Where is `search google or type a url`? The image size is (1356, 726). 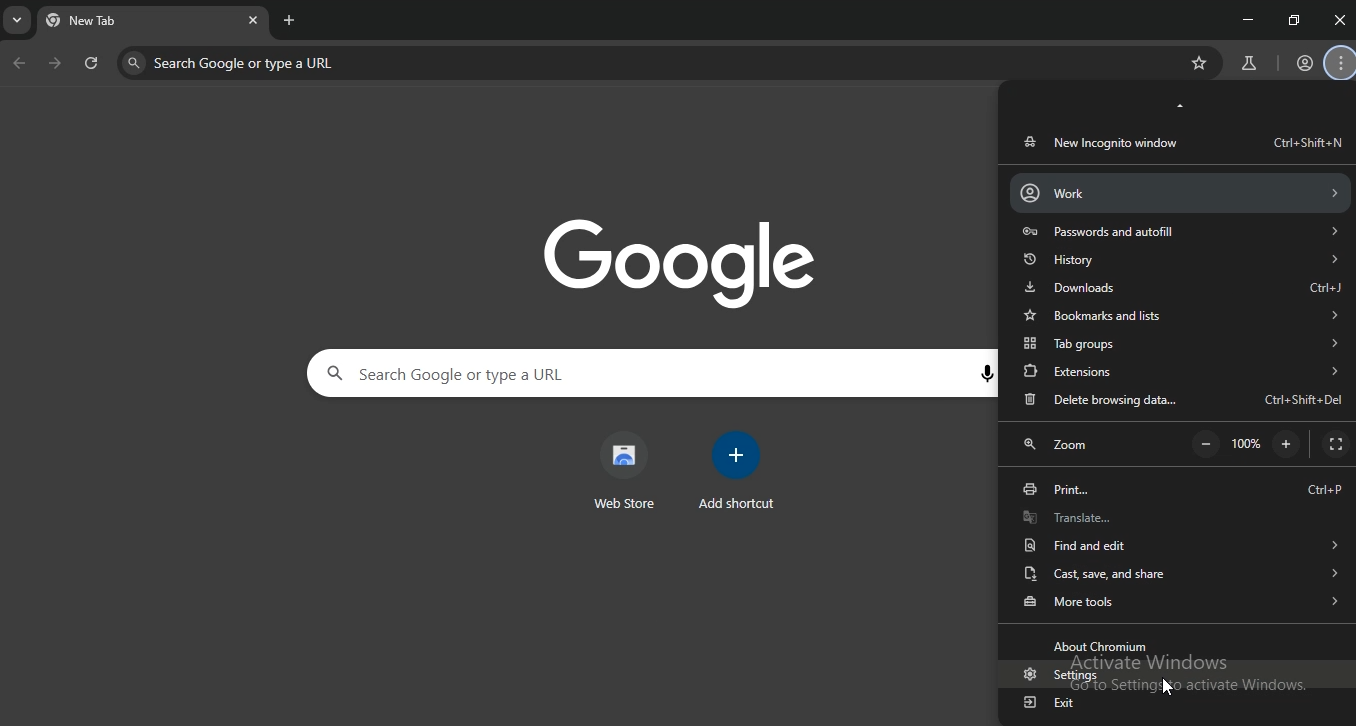
search google or type a url is located at coordinates (534, 374).